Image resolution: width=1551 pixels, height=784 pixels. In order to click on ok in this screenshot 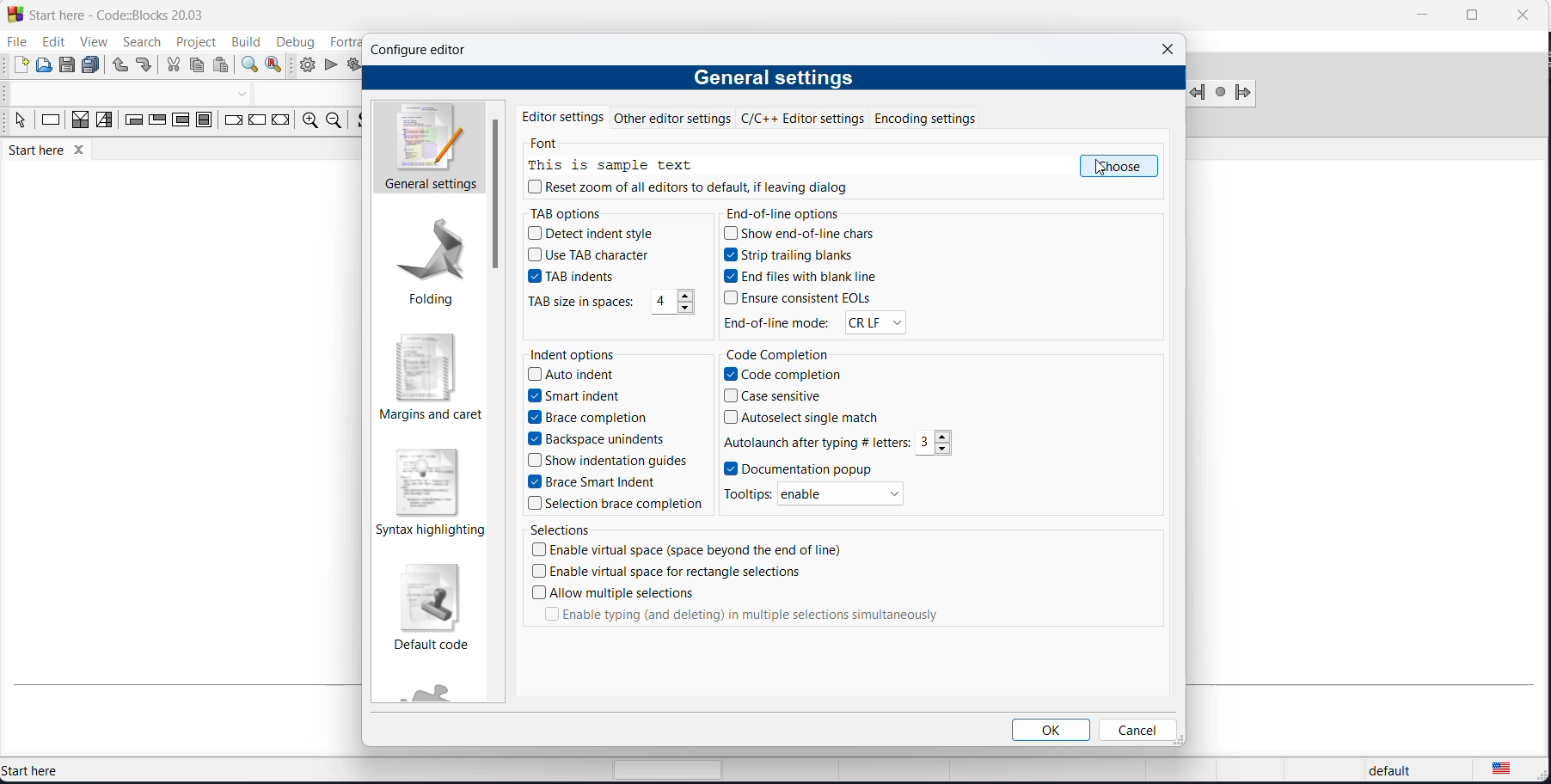, I will do `click(1053, 730)`.